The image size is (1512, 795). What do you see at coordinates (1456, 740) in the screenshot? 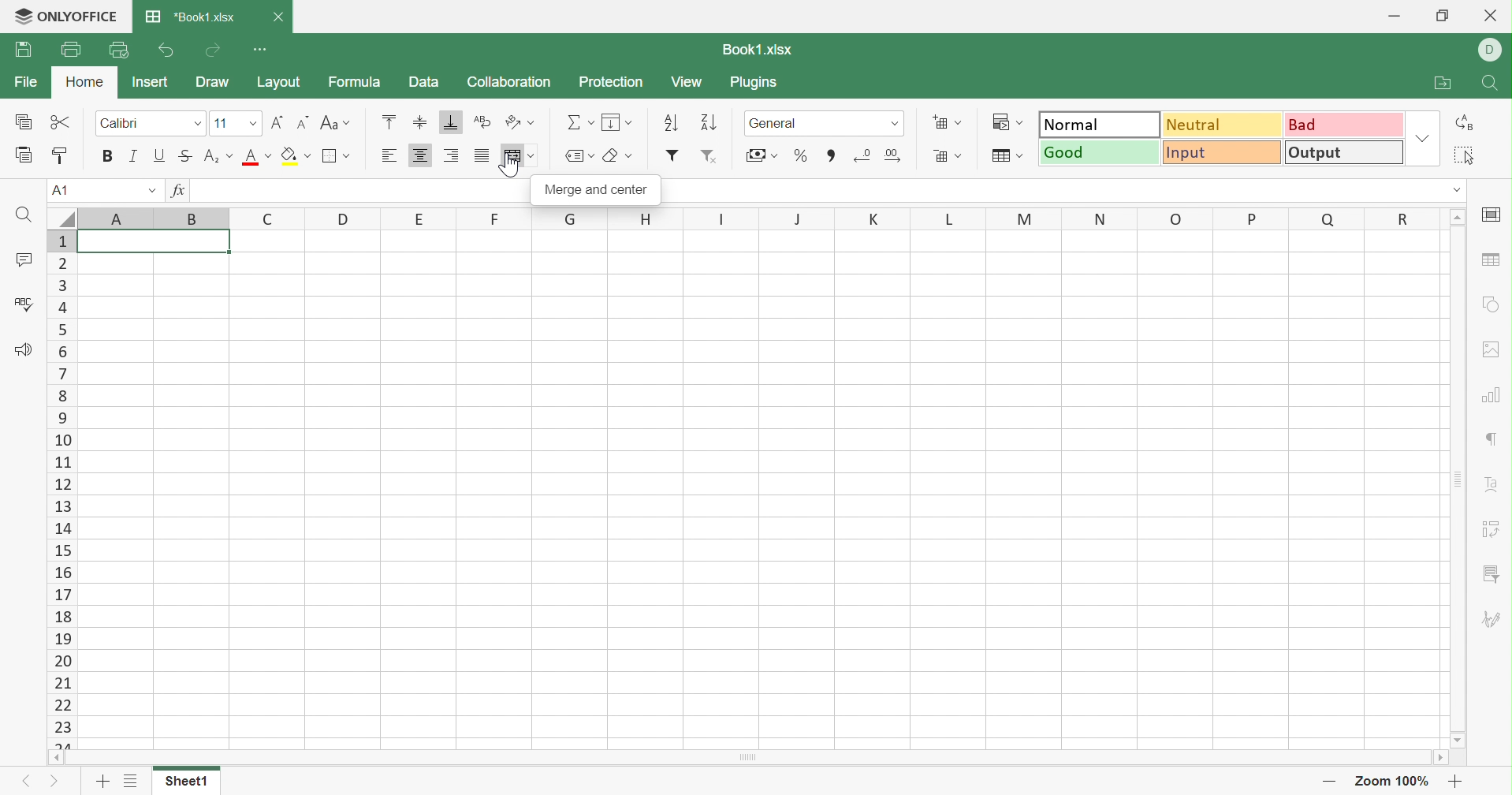
I see `Scroll Down` at bounding box center [1456, 740].